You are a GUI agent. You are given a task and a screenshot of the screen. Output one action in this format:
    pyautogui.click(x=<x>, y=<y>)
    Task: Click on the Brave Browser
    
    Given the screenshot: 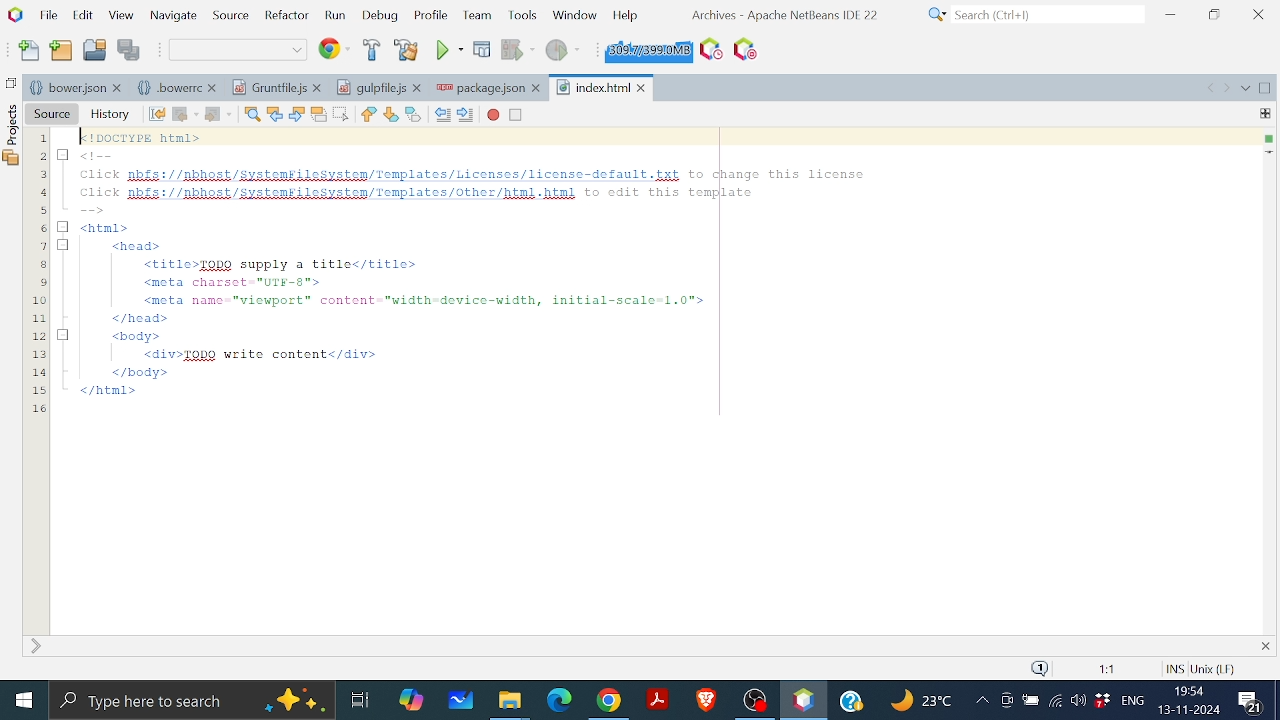 What is the action you would take?
    pyautogui.click(x=705, y=699)
    